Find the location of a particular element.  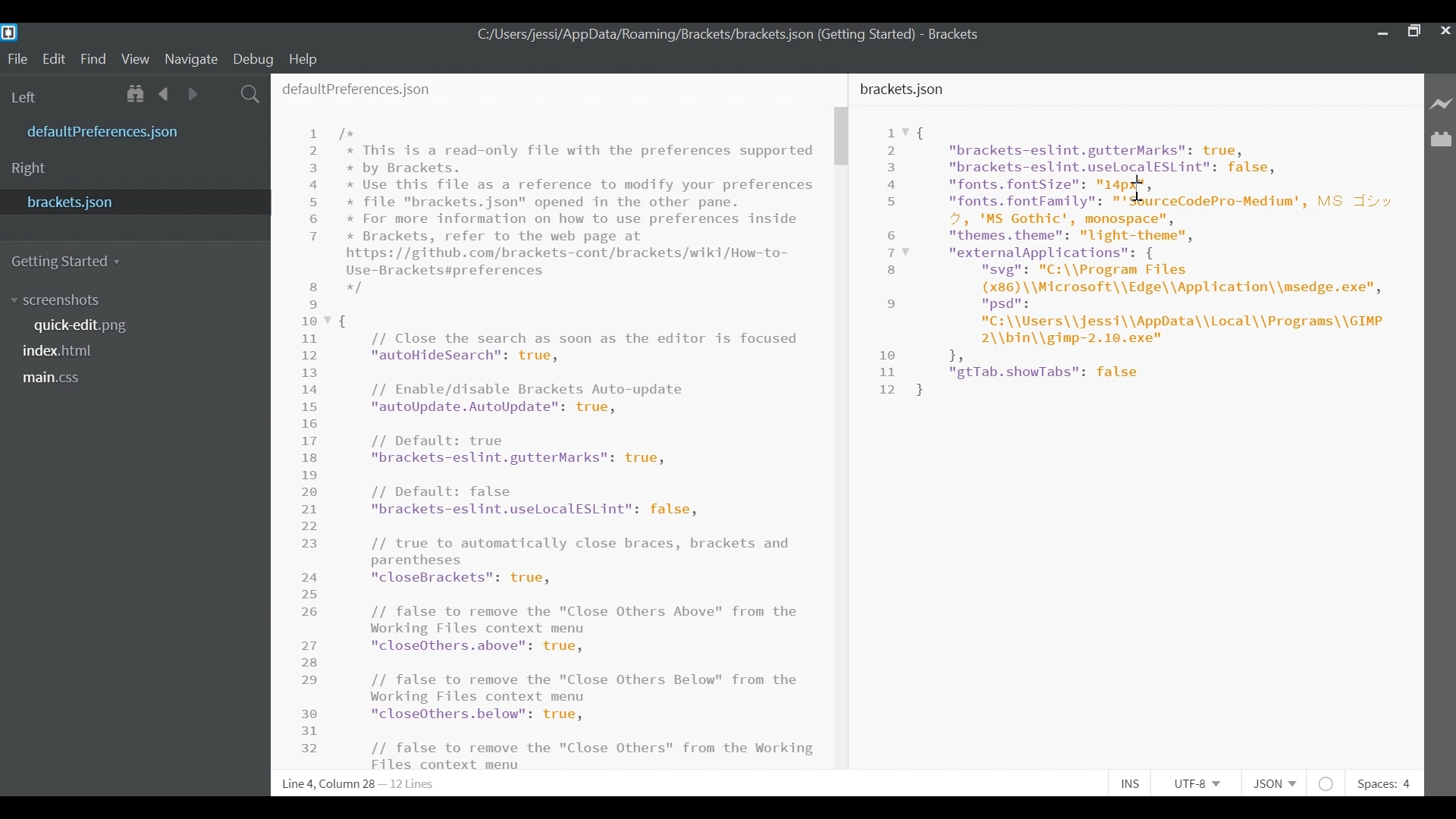

Vertical Scroll bar is located at coordinates (843, 138).